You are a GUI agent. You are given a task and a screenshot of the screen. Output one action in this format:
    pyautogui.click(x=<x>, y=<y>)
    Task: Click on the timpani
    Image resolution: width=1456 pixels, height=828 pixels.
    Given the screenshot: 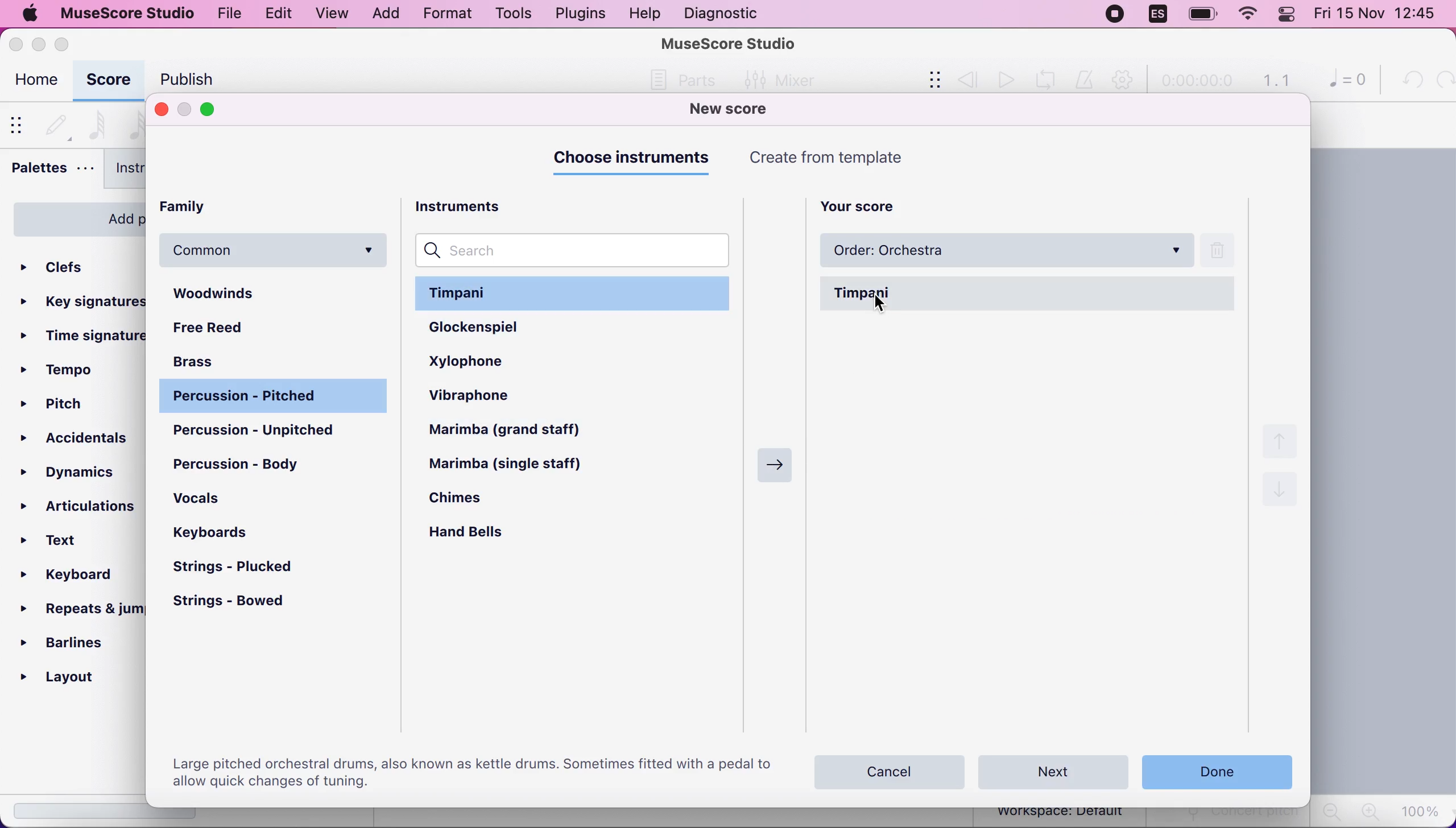 What is the action you would take?
    pyautogui.click(x=576, y=292)
    